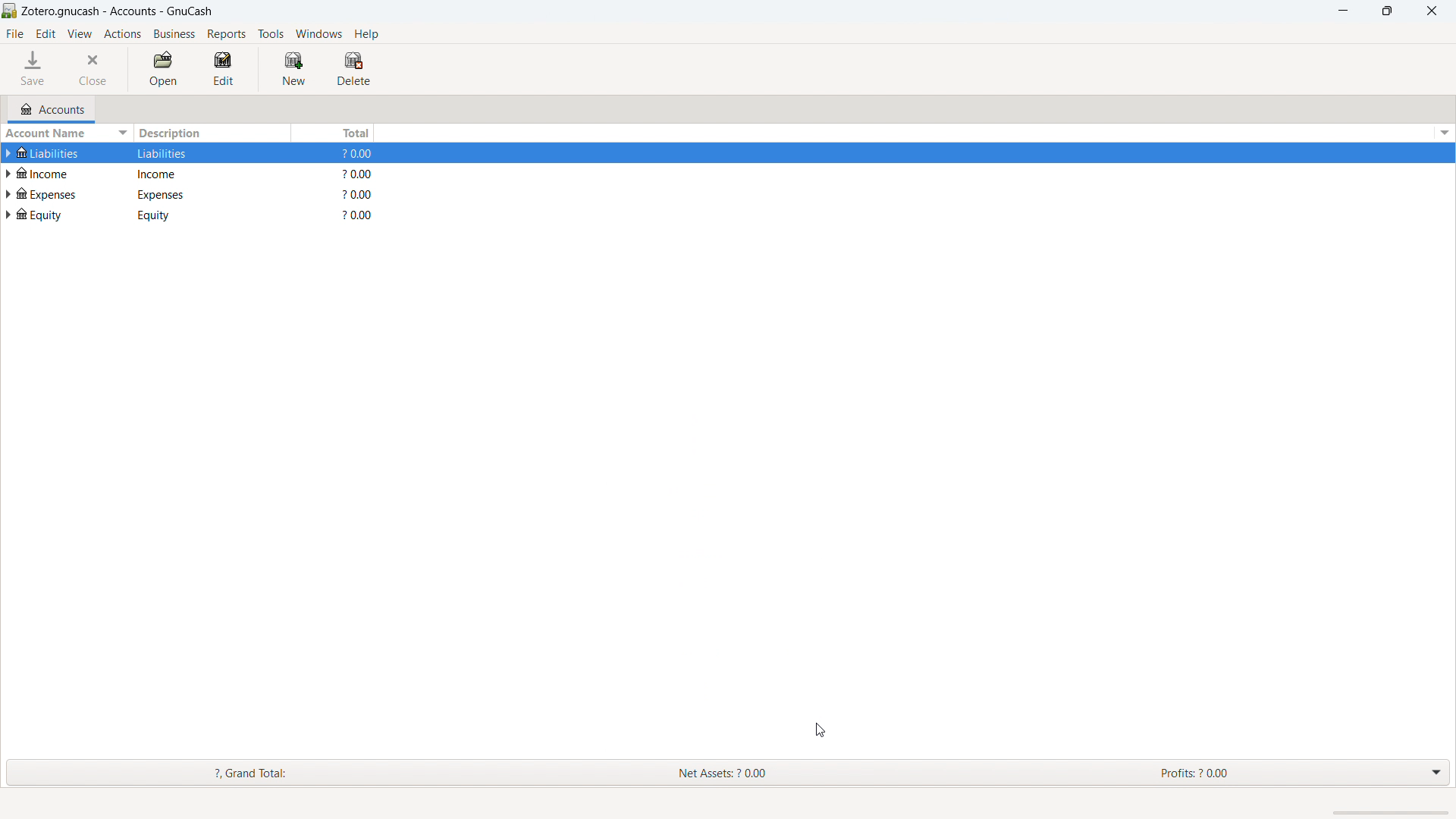 The image size is (1456, 819). Describe the element at coordinates (67, 135) in the screenshot. I see `sort by account name` at that location.